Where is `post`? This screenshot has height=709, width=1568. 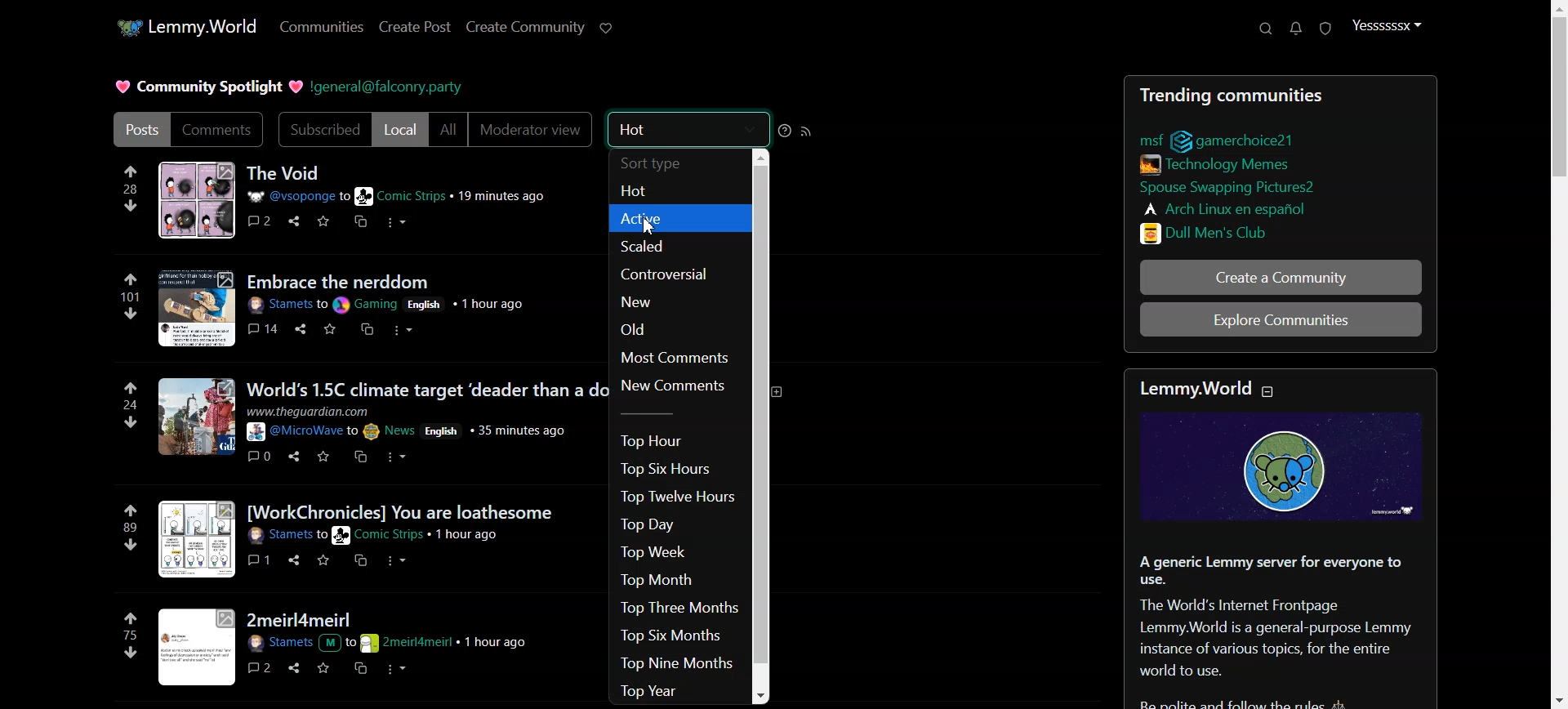
post is located at coordinates (421, 511).